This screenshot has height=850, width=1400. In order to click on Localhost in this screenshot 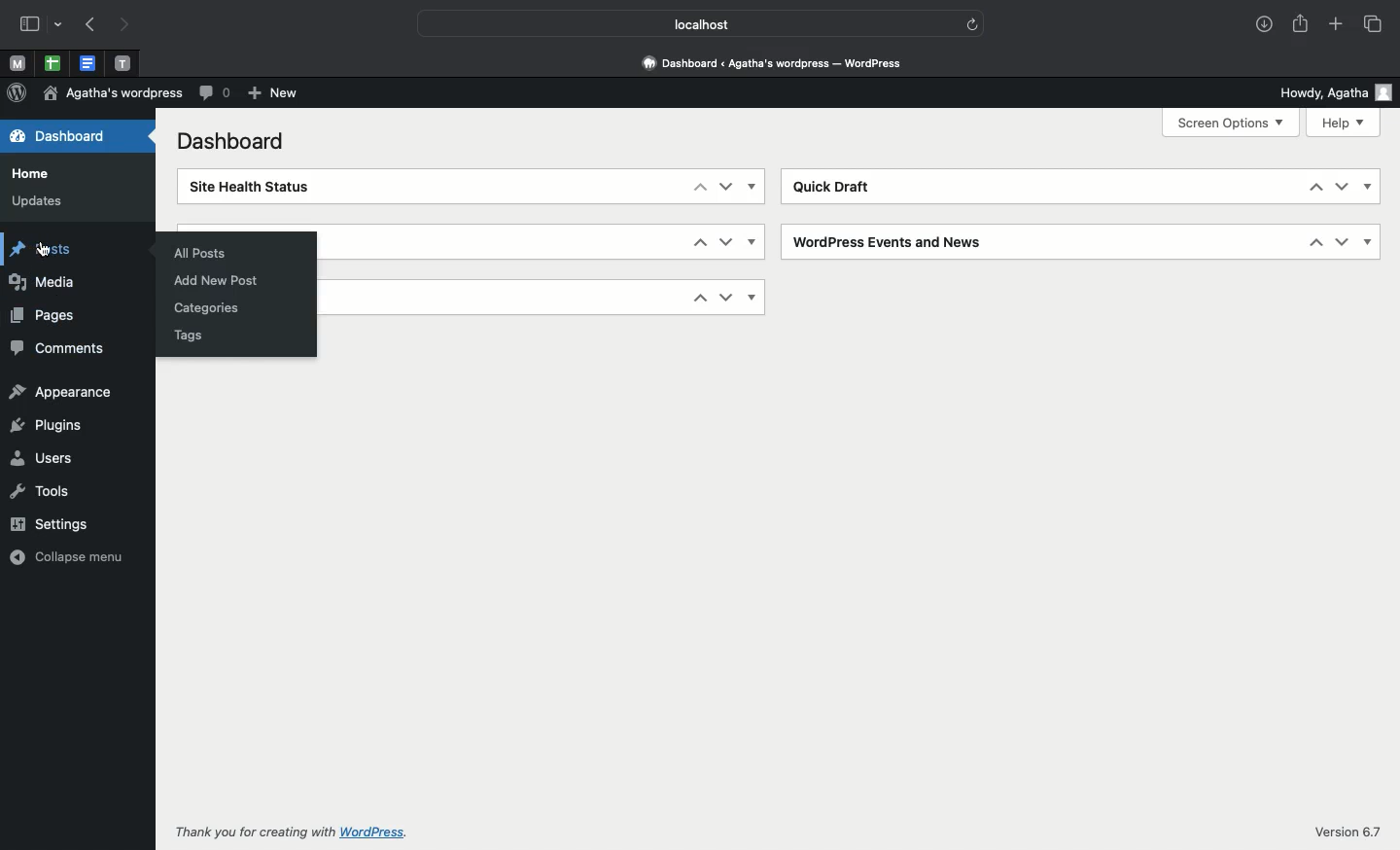, I will do `click(676, 22)`.